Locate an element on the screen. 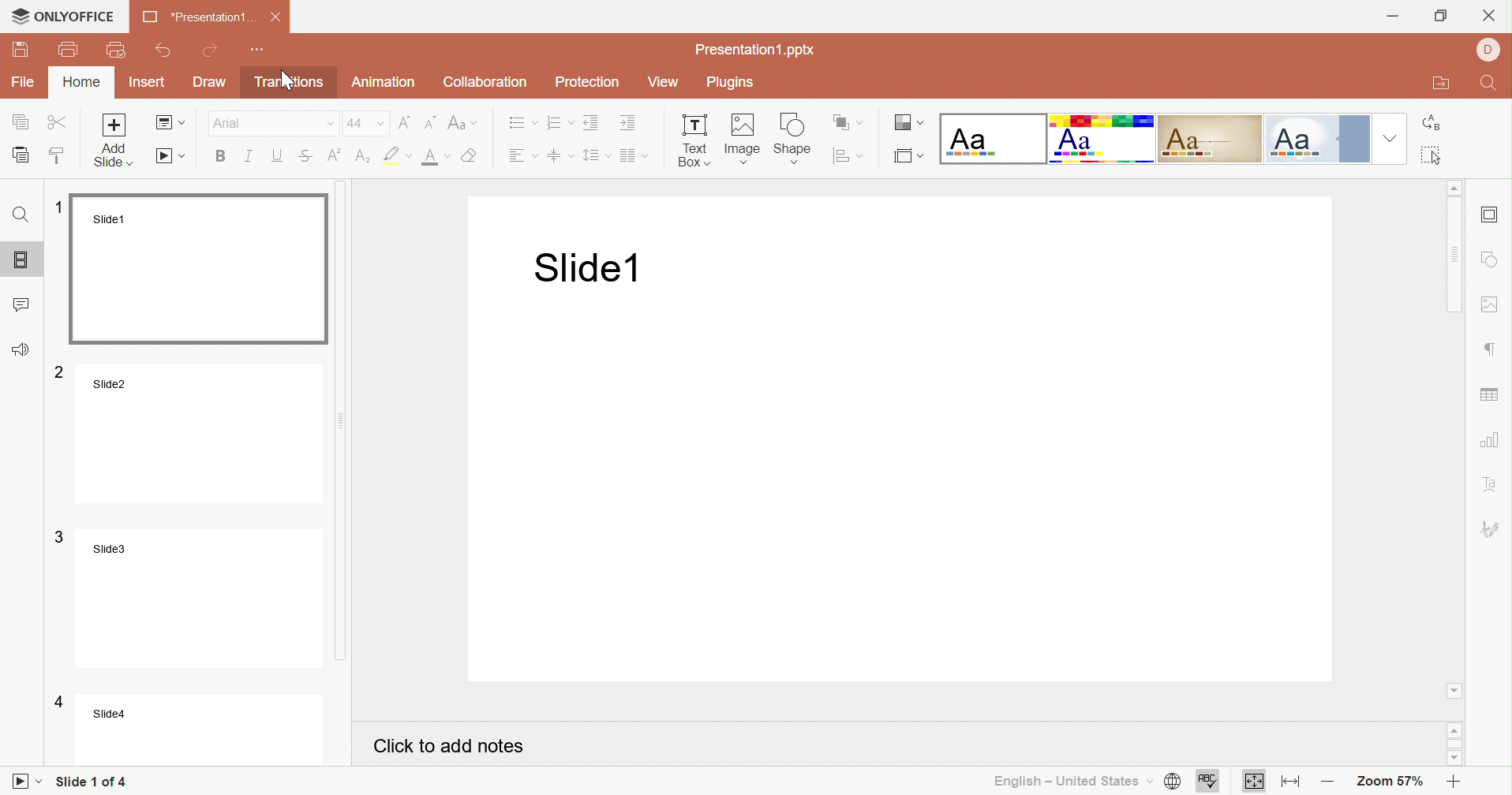  Feedback & Support is located at coordinates (21, 349).